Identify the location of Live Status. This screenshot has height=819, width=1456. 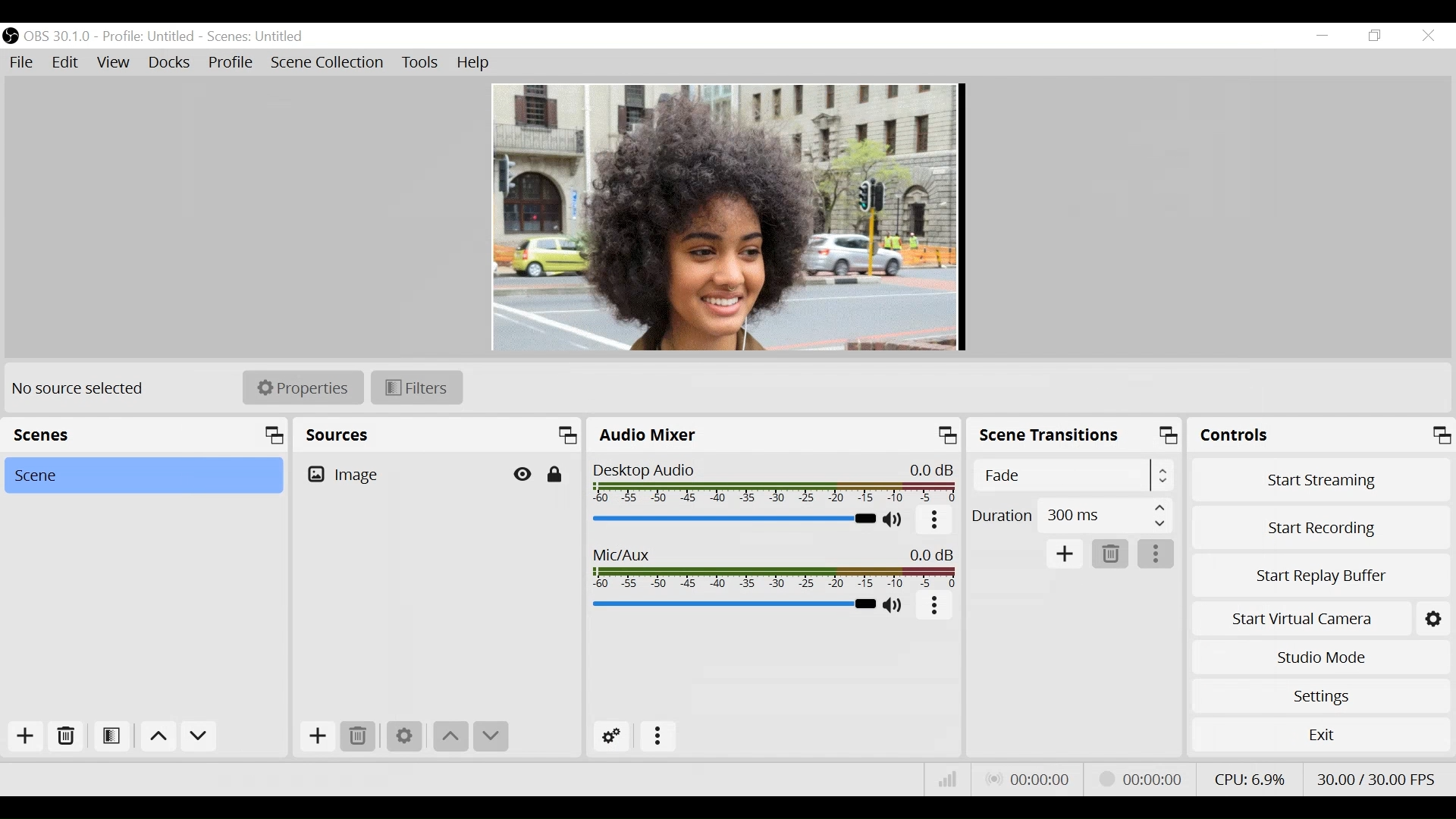
(1032, 779).